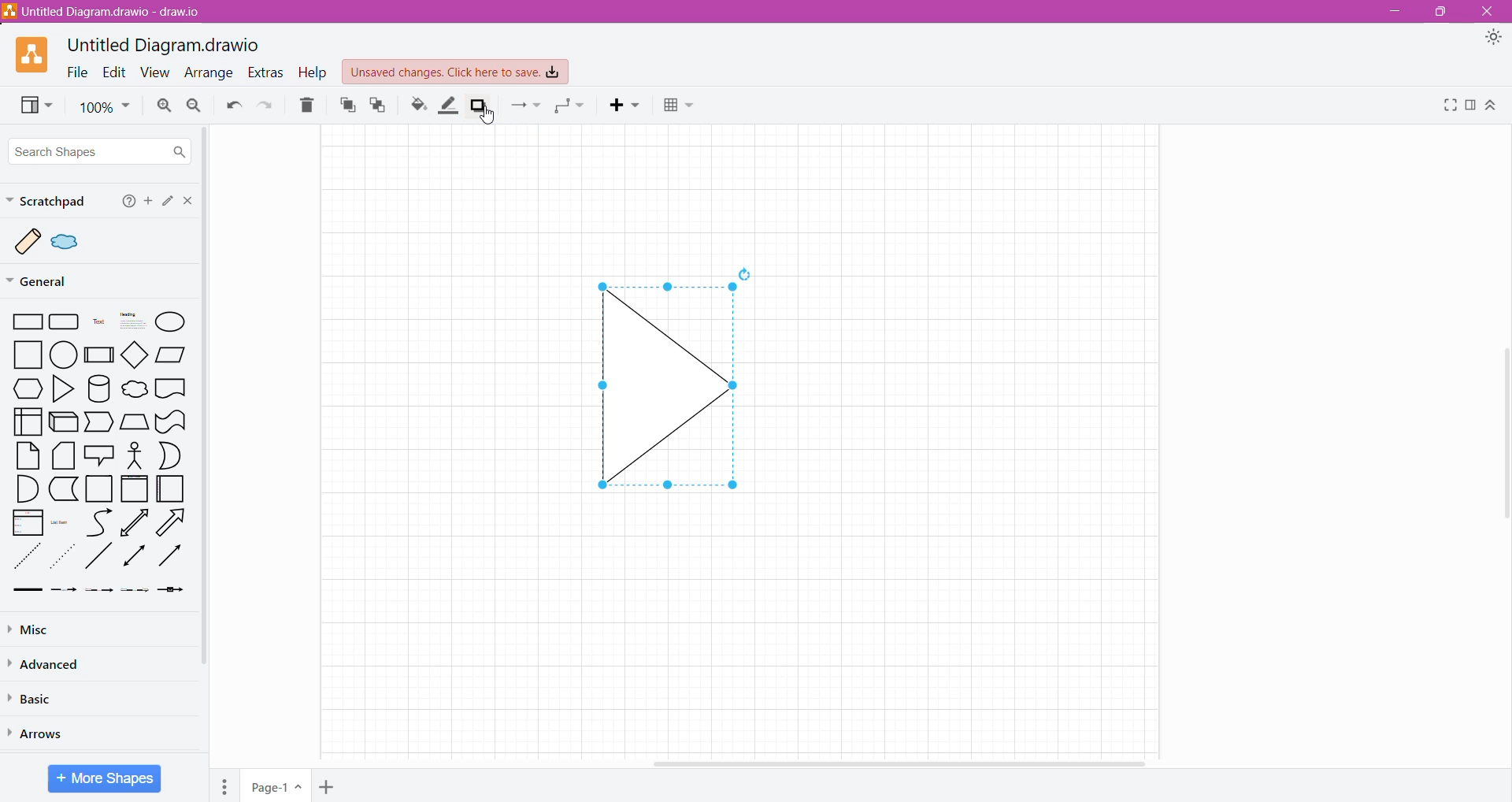  What do you see at coordinates (106, 11) in the screenshot?
I see `Untitled Diagram.draw.io - draw.io` at bounding box center [106, 11].